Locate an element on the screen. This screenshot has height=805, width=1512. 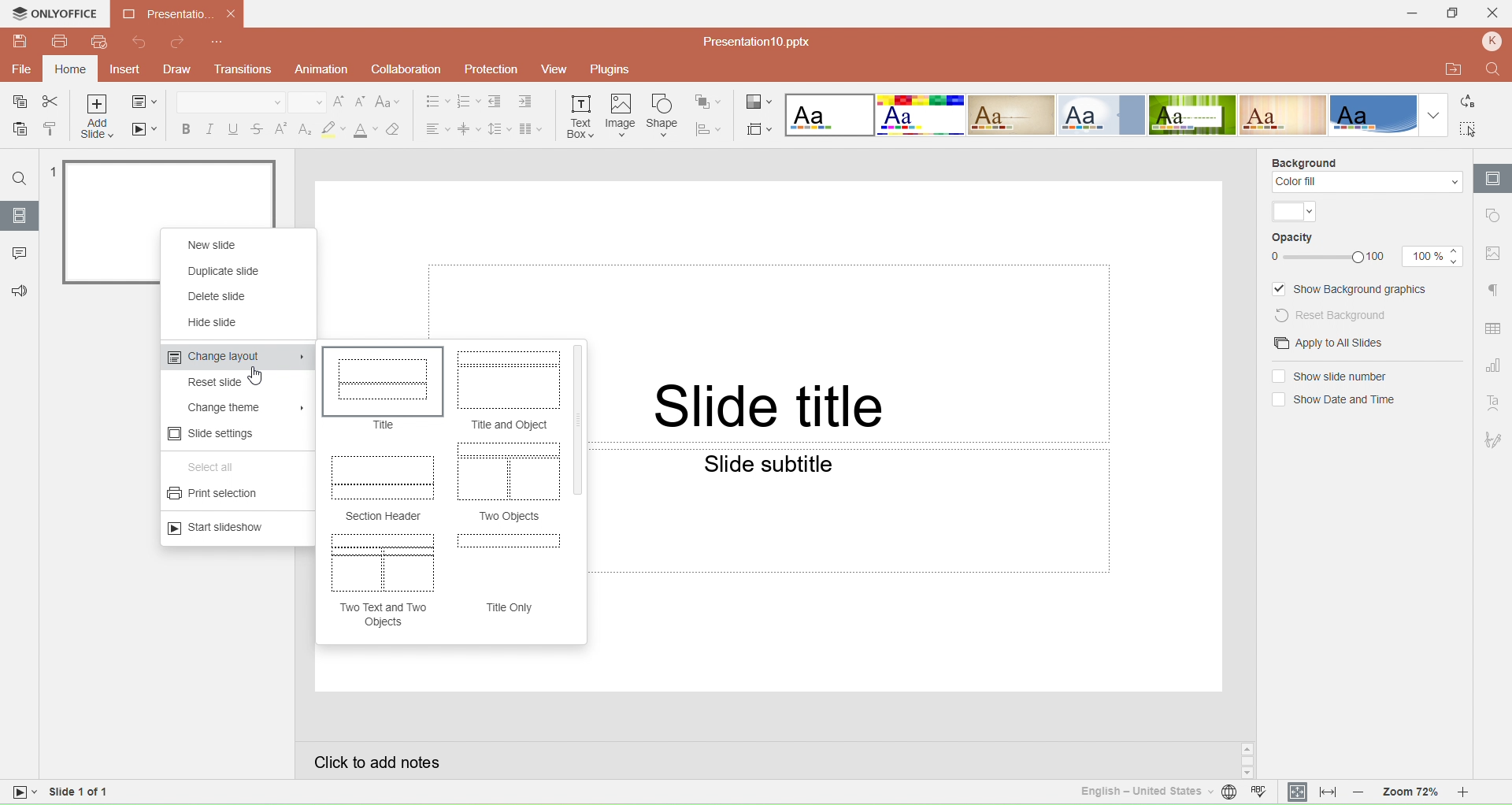
File is located at coordinates (22, 69).